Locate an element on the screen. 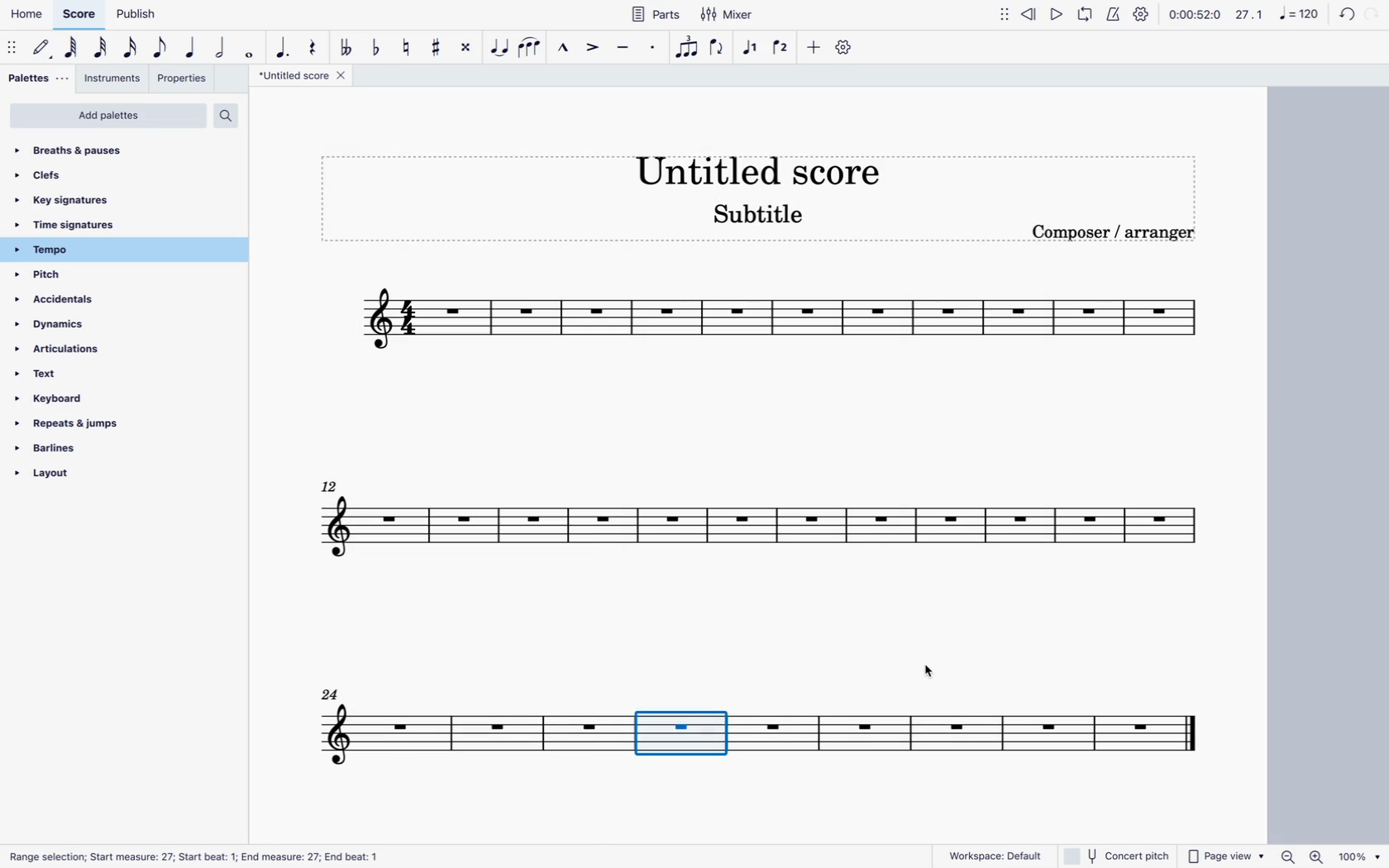 Image resolution: width=1389 pixels, height=868 pixels. accent is located at coordinates (594, 47).